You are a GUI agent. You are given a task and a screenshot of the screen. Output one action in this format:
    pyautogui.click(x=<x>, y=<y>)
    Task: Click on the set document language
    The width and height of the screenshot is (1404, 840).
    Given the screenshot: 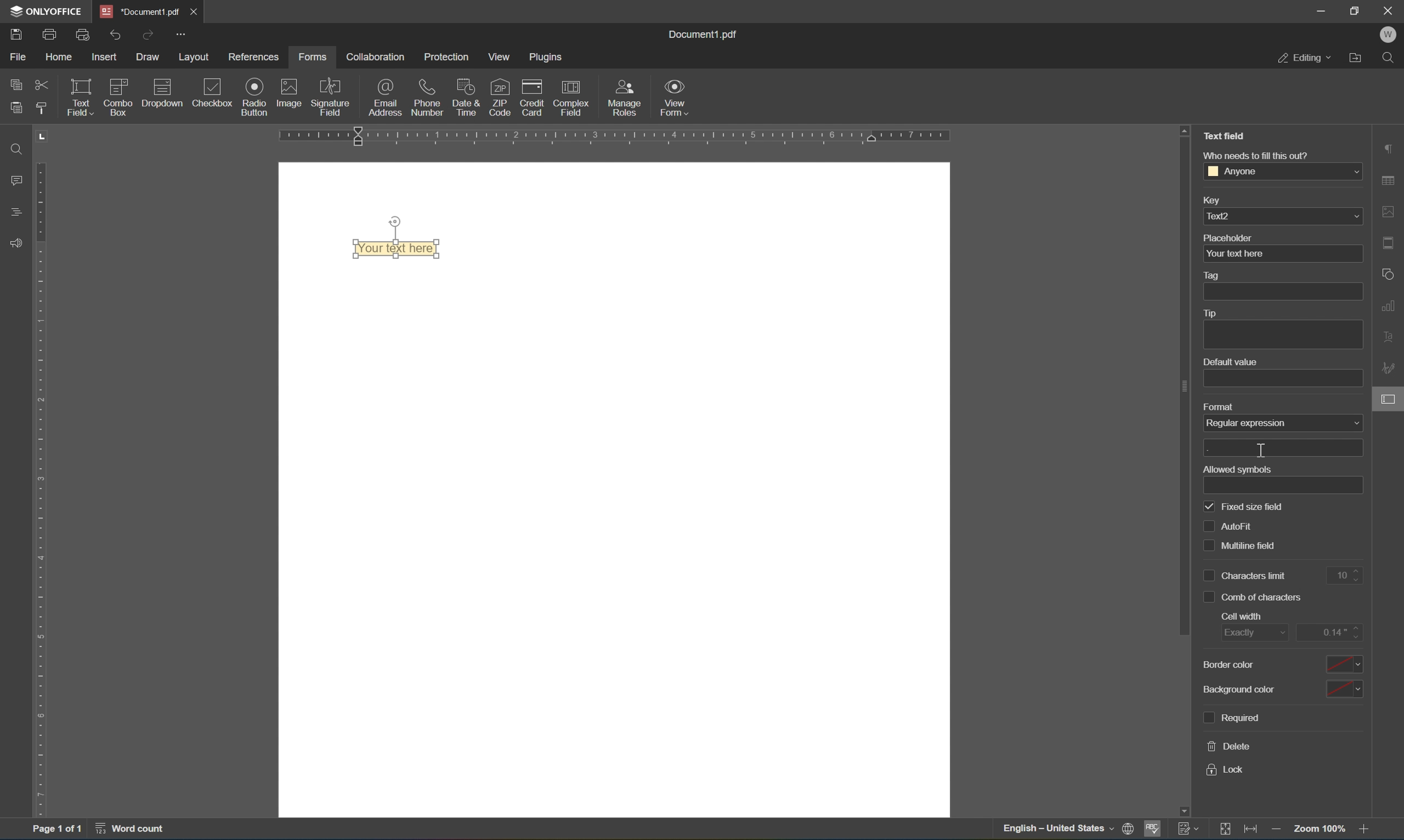 What is the action you would take?
    pyautogui.click(x=1067, y=830)
    